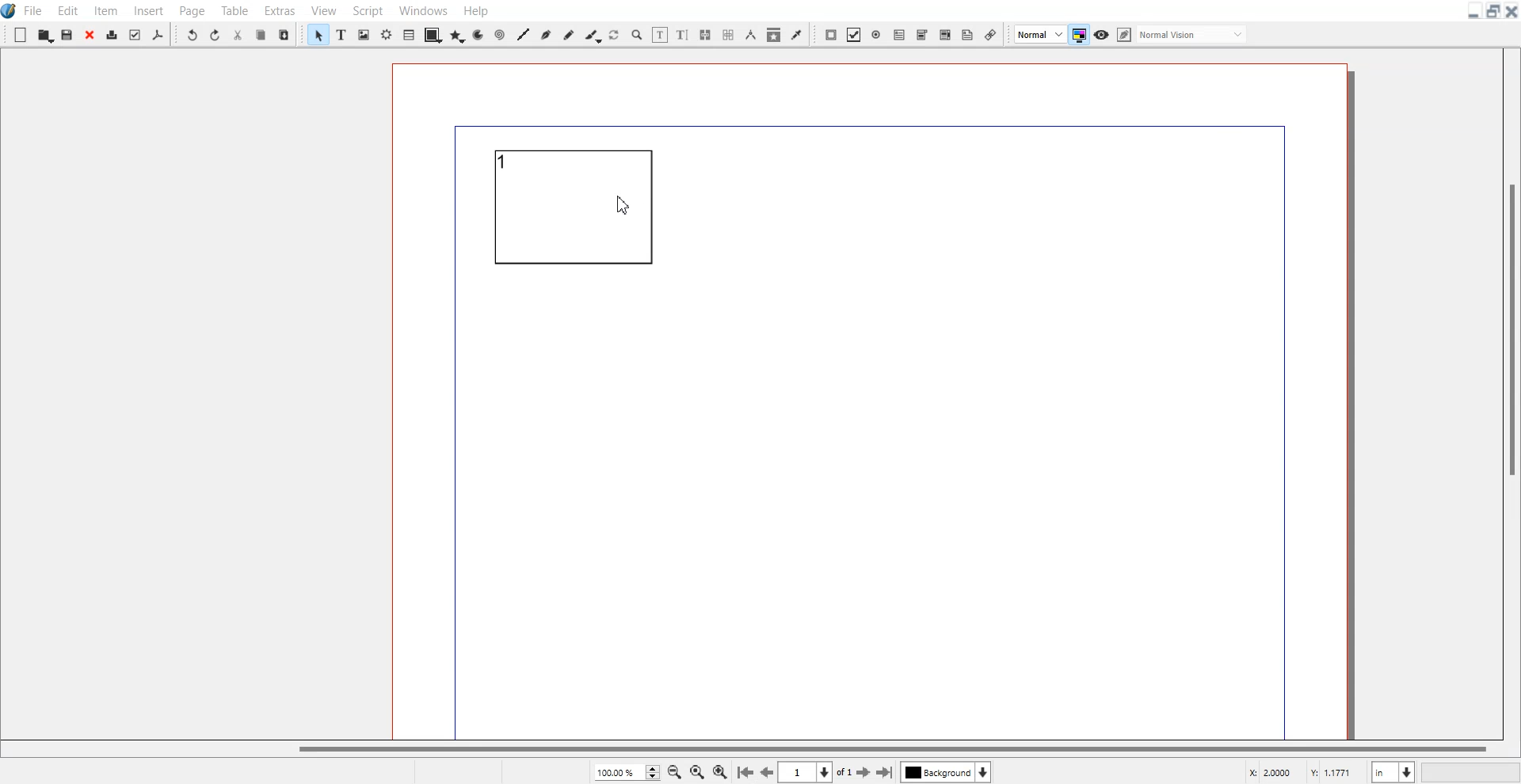 The image size is (1521, 784). Describe the element at coordinates (705, 35) in the screenshot. I see `Link Text Frame` at that location.